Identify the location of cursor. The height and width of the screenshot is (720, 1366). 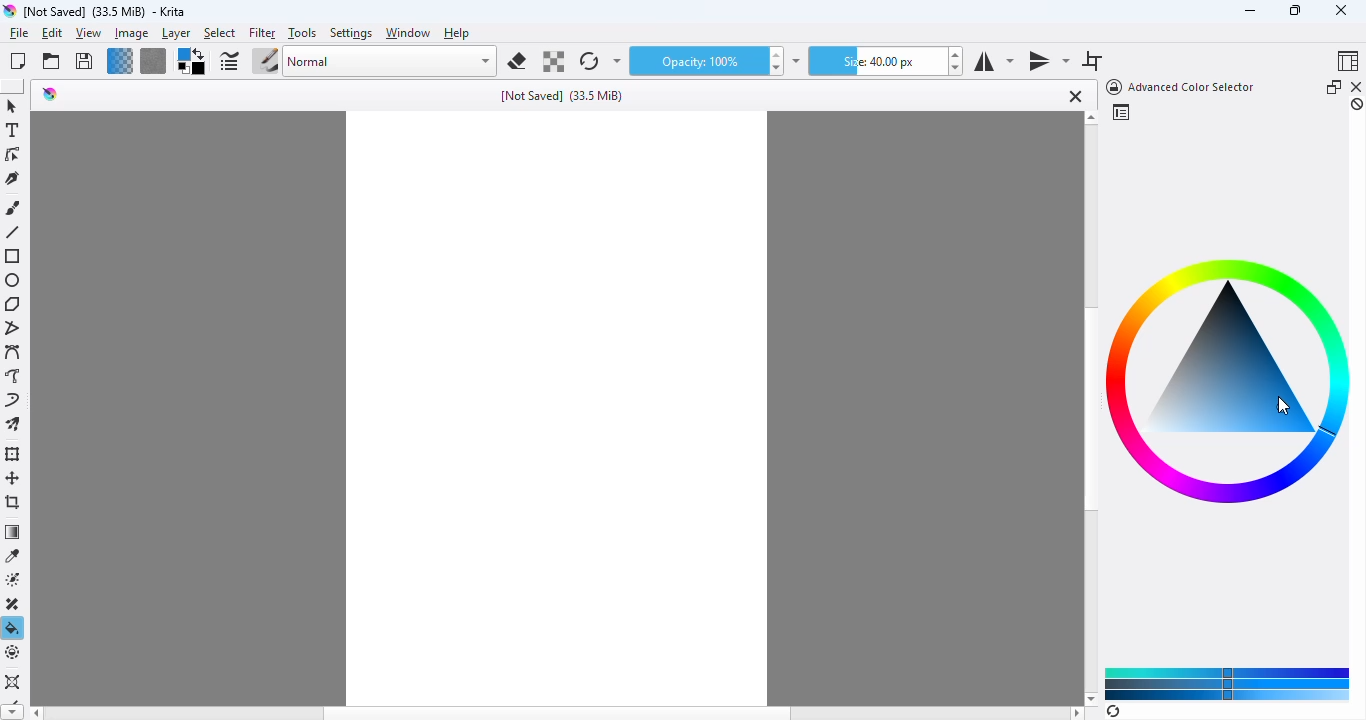
(1284, 406).